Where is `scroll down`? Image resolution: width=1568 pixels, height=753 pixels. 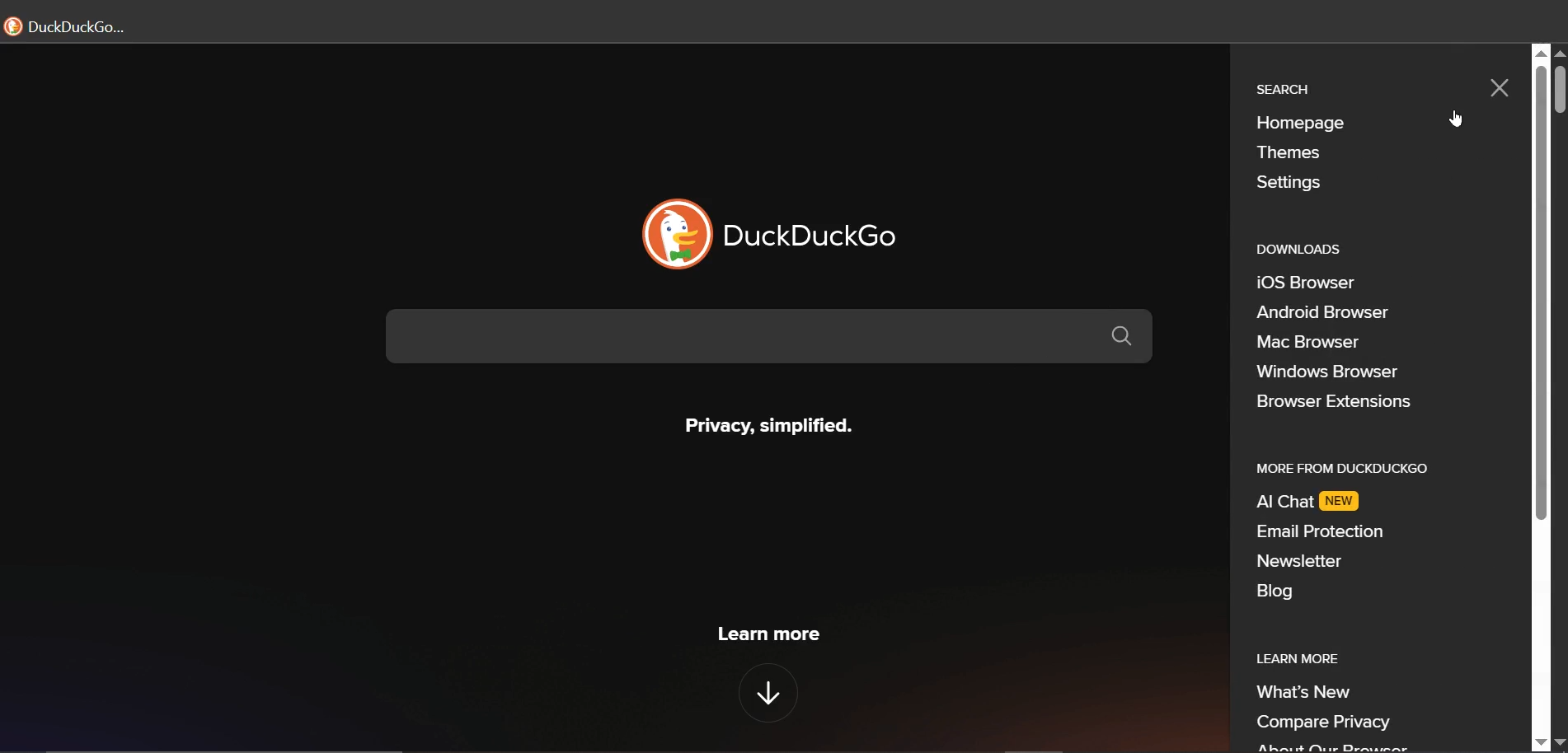
scroll down is located at coordinates (1558, 743).